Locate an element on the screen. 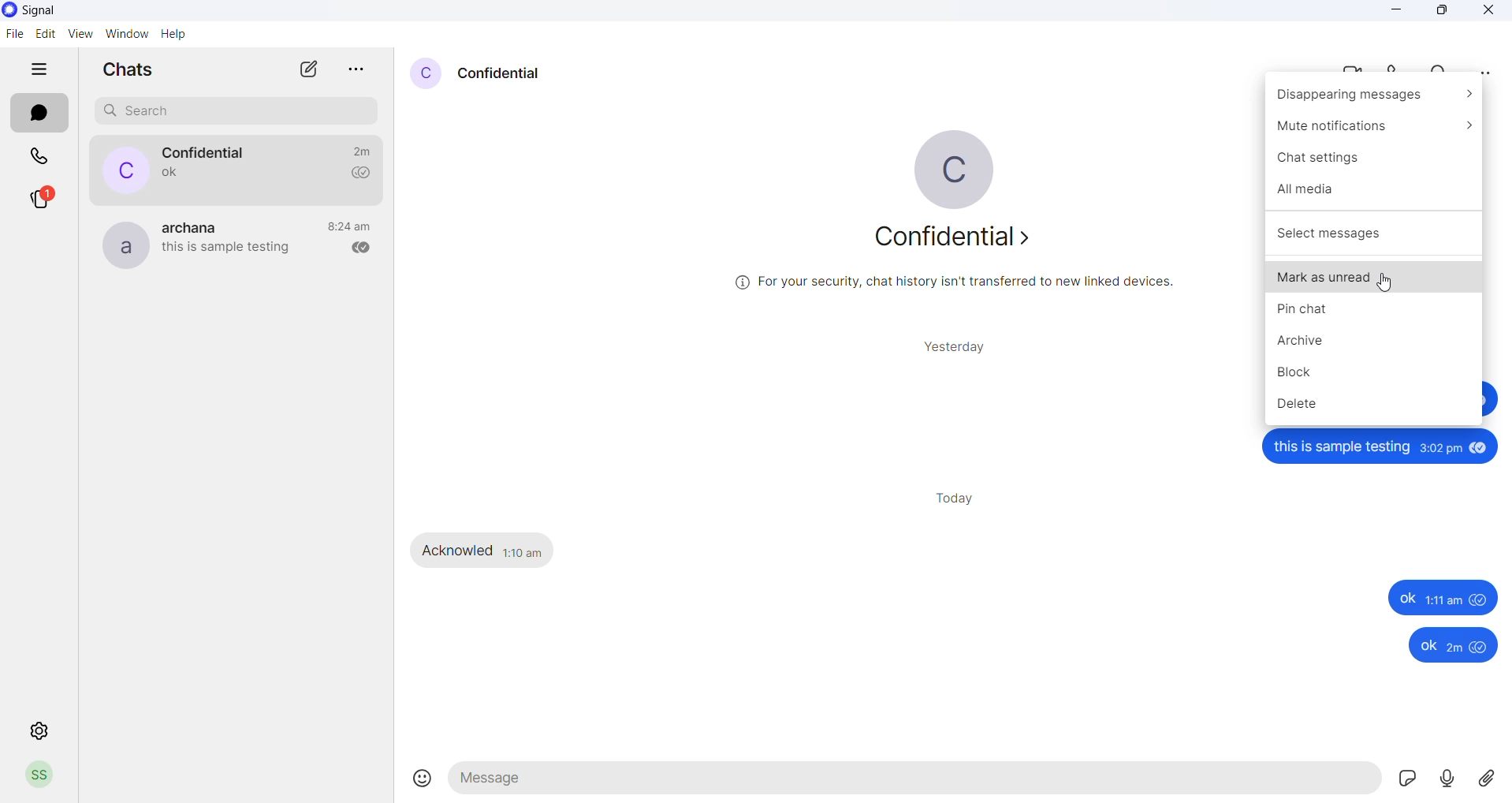  search chat is located at coordinates (239, 111).